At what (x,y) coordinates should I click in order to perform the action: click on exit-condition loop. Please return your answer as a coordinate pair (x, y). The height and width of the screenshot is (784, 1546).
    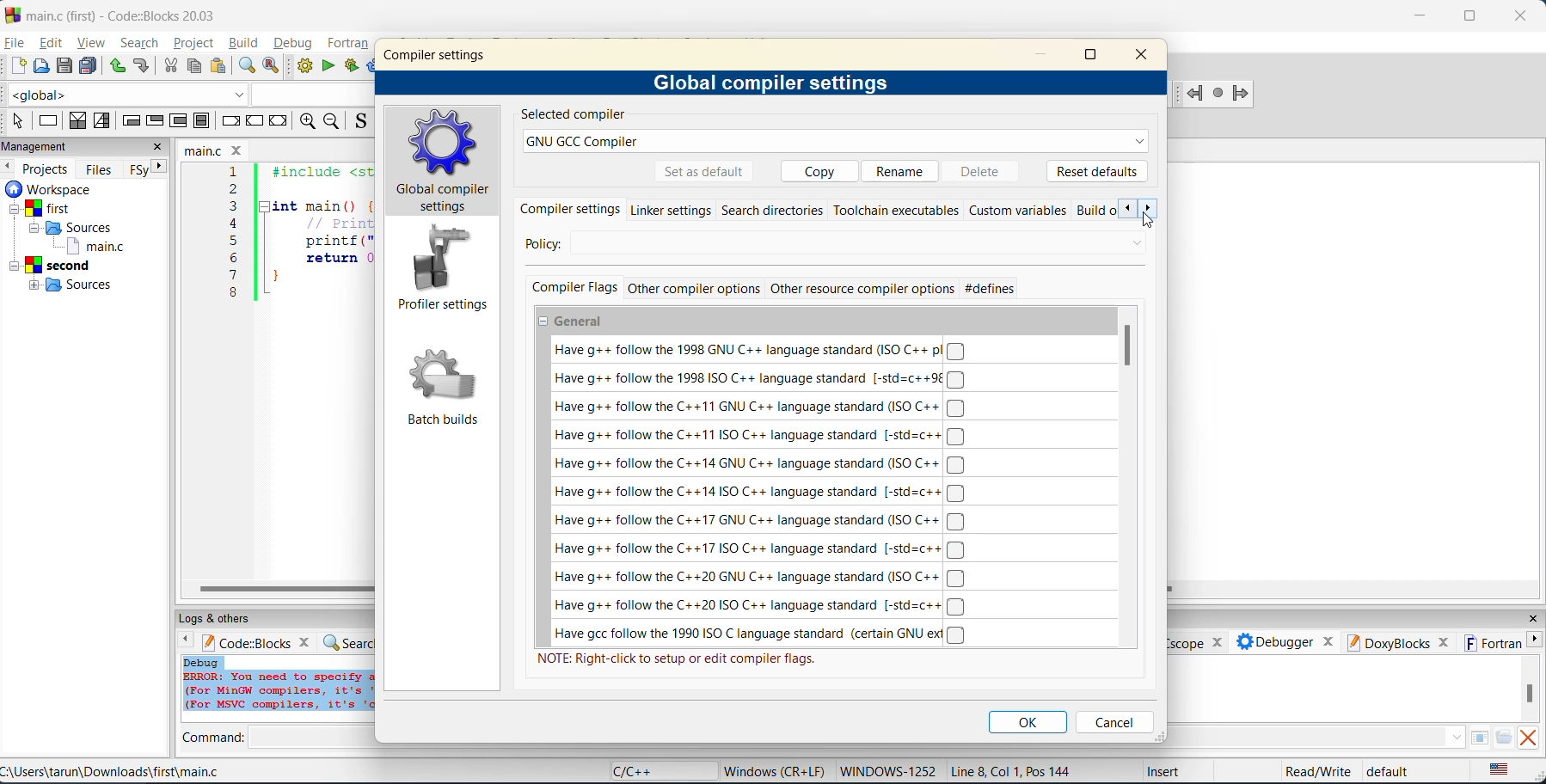
    Looking at the image, I should click on (157, 120).